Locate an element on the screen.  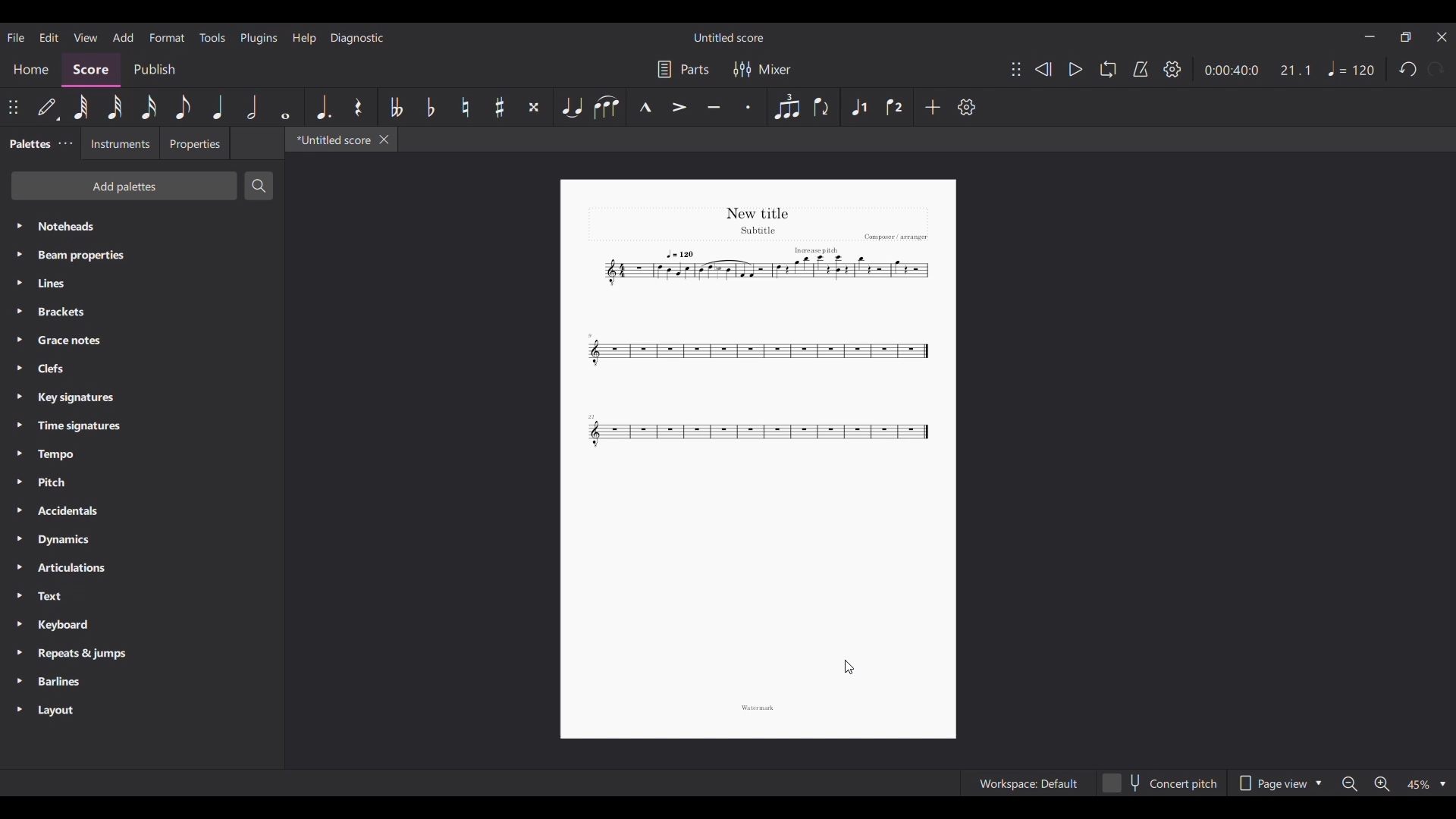
Metronome is located at coordinates (1141, 70).